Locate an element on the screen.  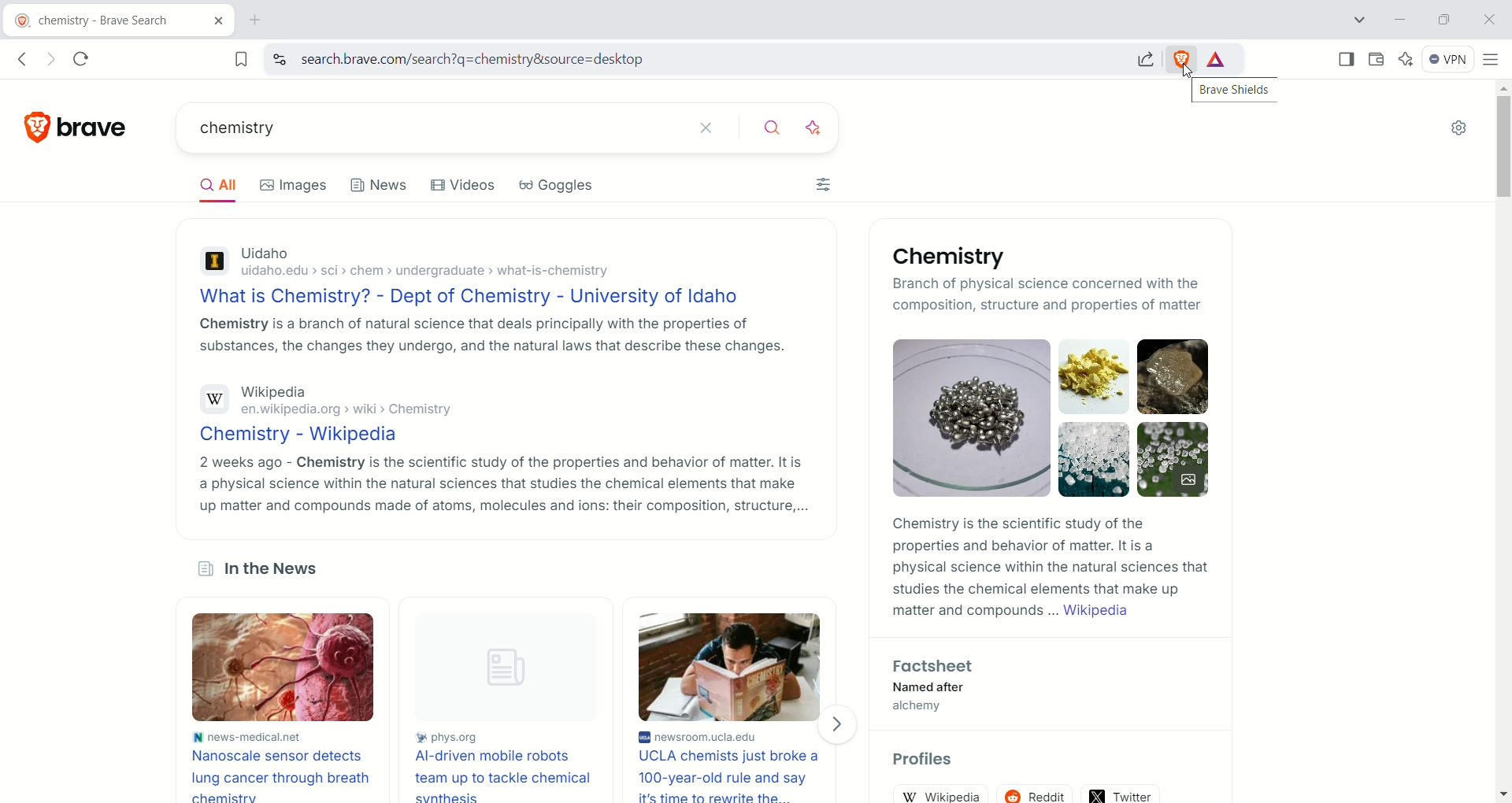
images is located at coordinates (295, 184).